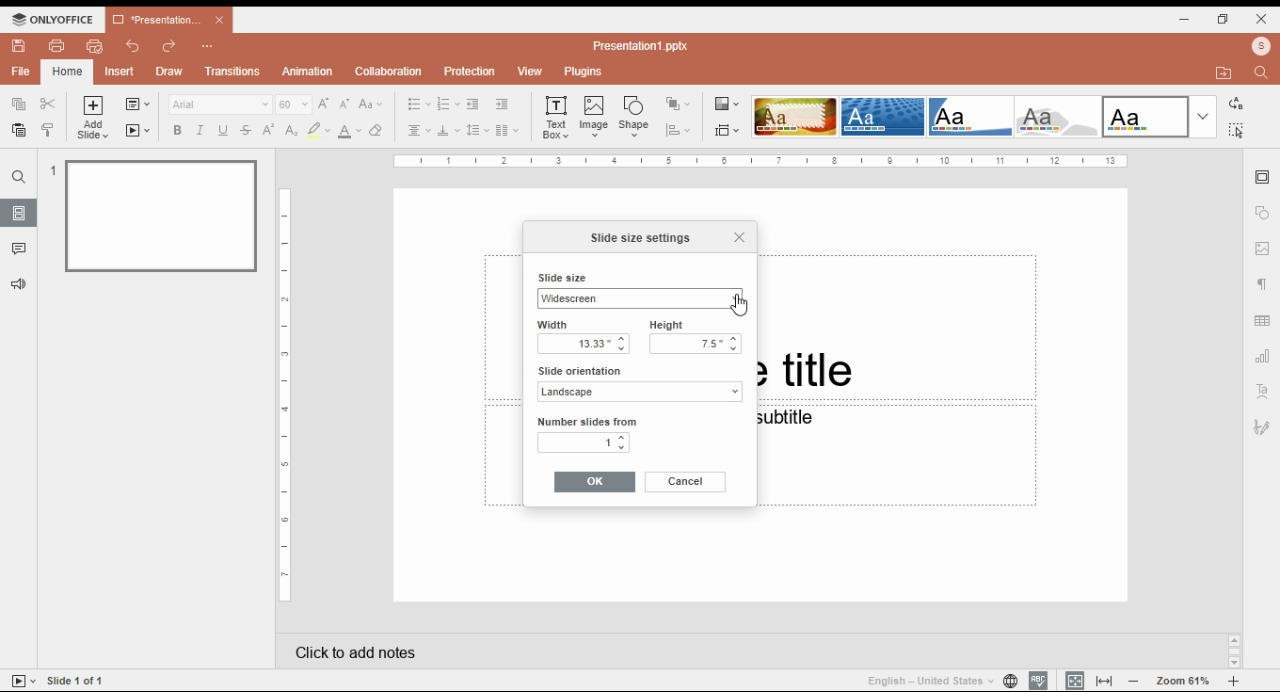 The width and height of the screenshot is (1280, 692). Describe the element at coordinates (53, 19) in the screenshot. I see `ONLYOFFICE` at that location.